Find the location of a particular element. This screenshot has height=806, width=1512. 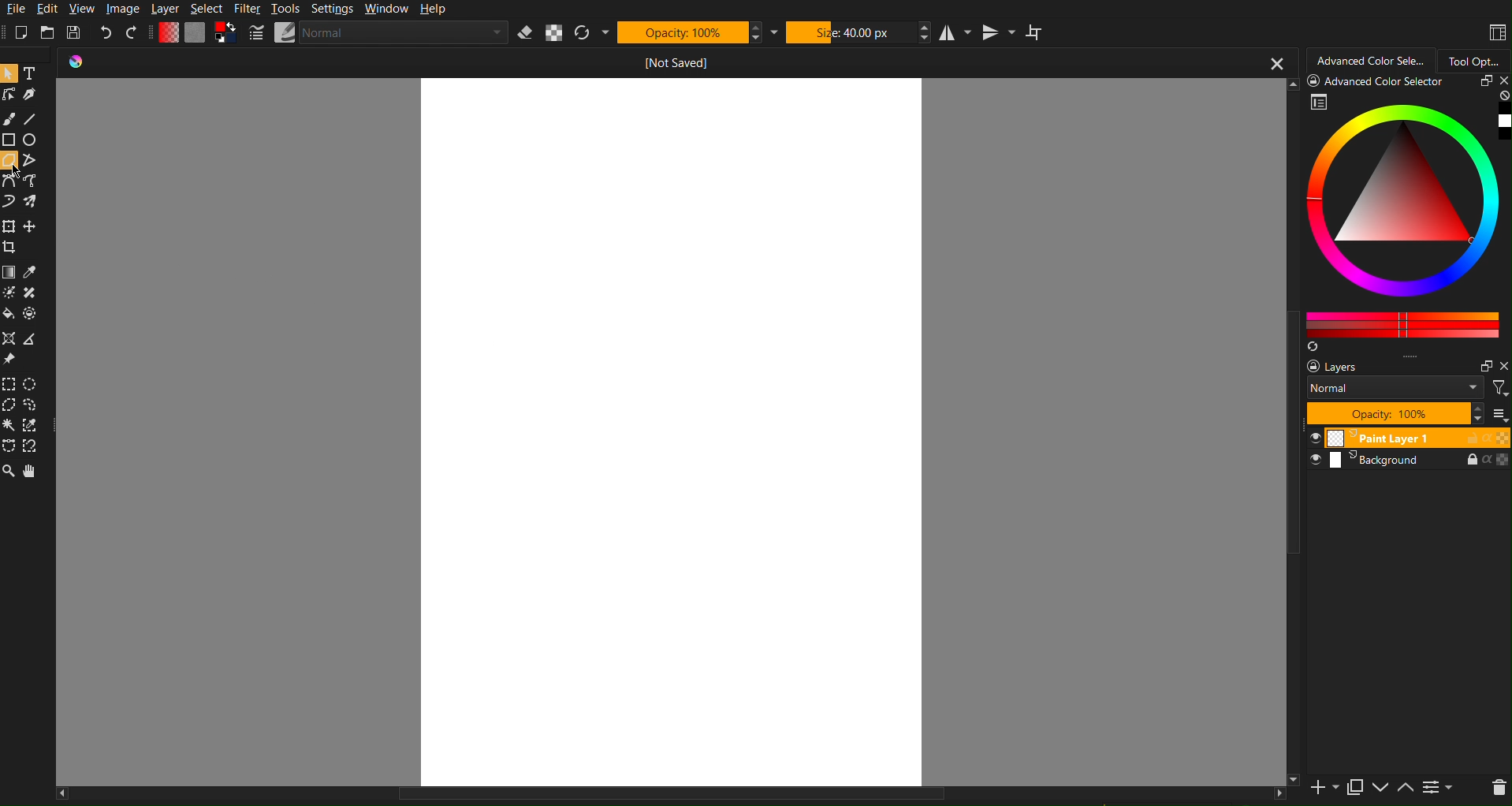

paint layer 1 is located at coordinates (1407, 437).